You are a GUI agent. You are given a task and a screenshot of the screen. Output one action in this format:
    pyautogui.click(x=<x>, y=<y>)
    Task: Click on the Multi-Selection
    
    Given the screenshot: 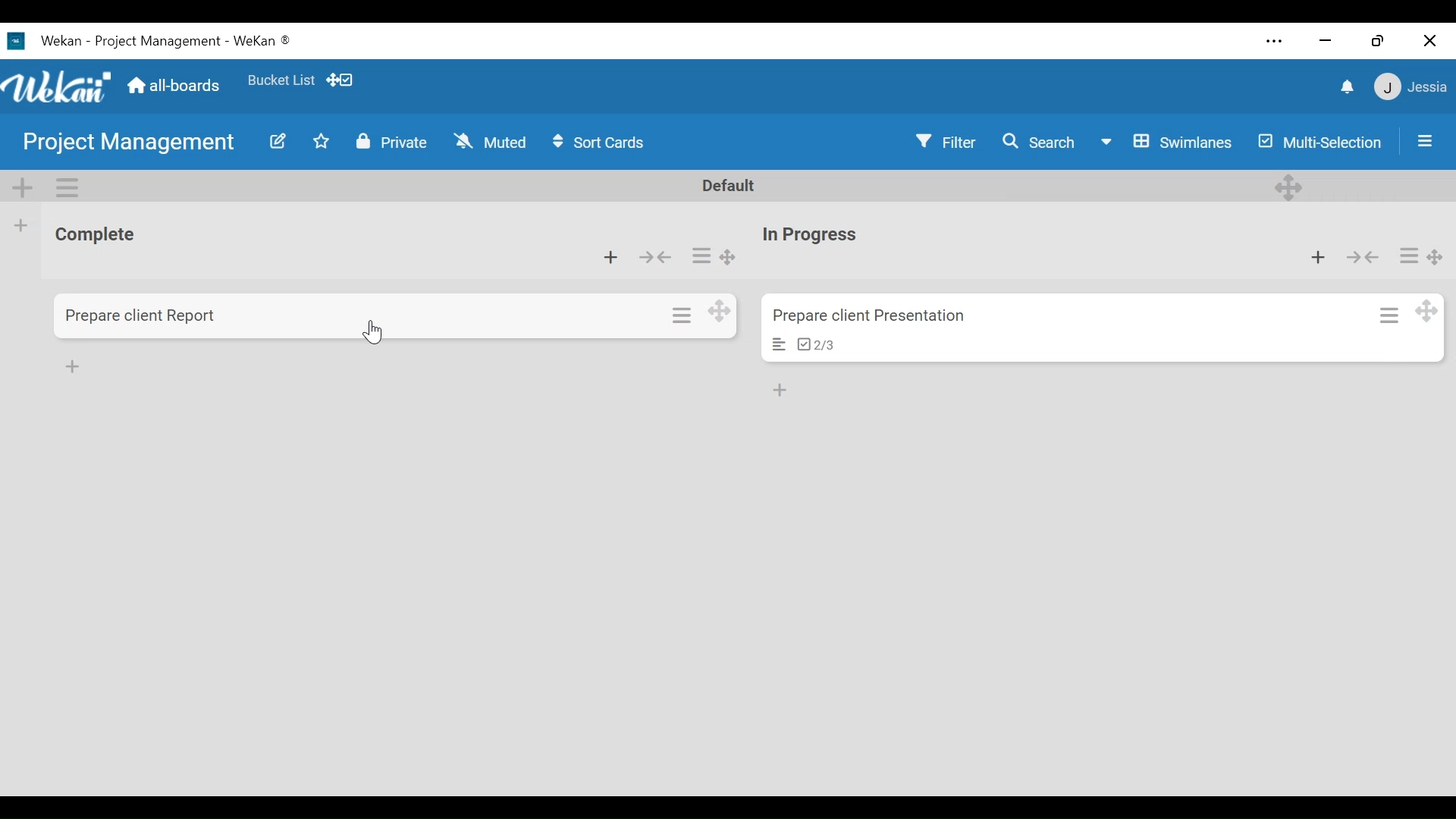 What is the action you would take?
    pyautogui.click(x=1317, y=142)
    